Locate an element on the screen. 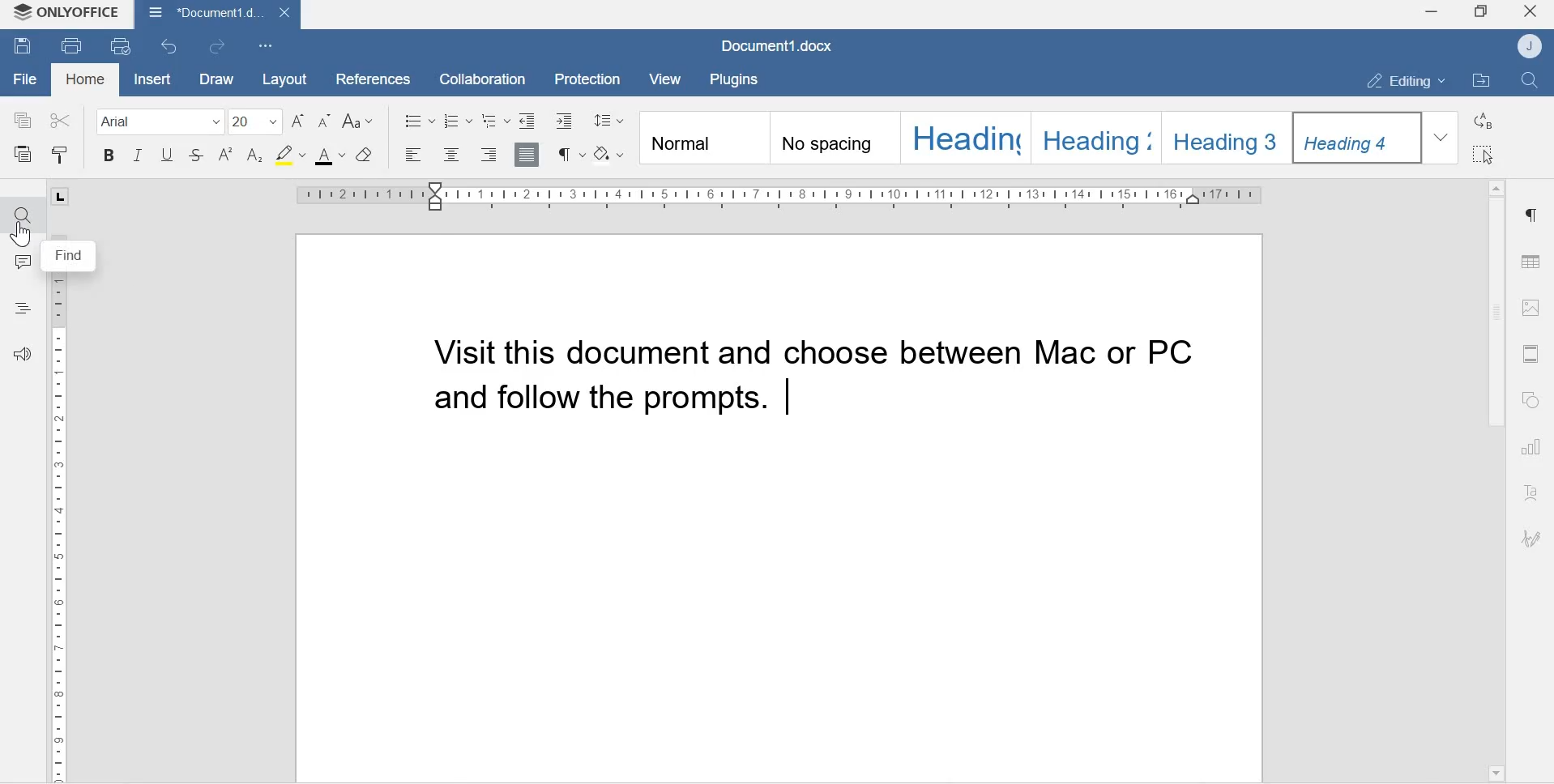 The image size is (1554, 784). Decrease indent is located at coordinates (527, 119).